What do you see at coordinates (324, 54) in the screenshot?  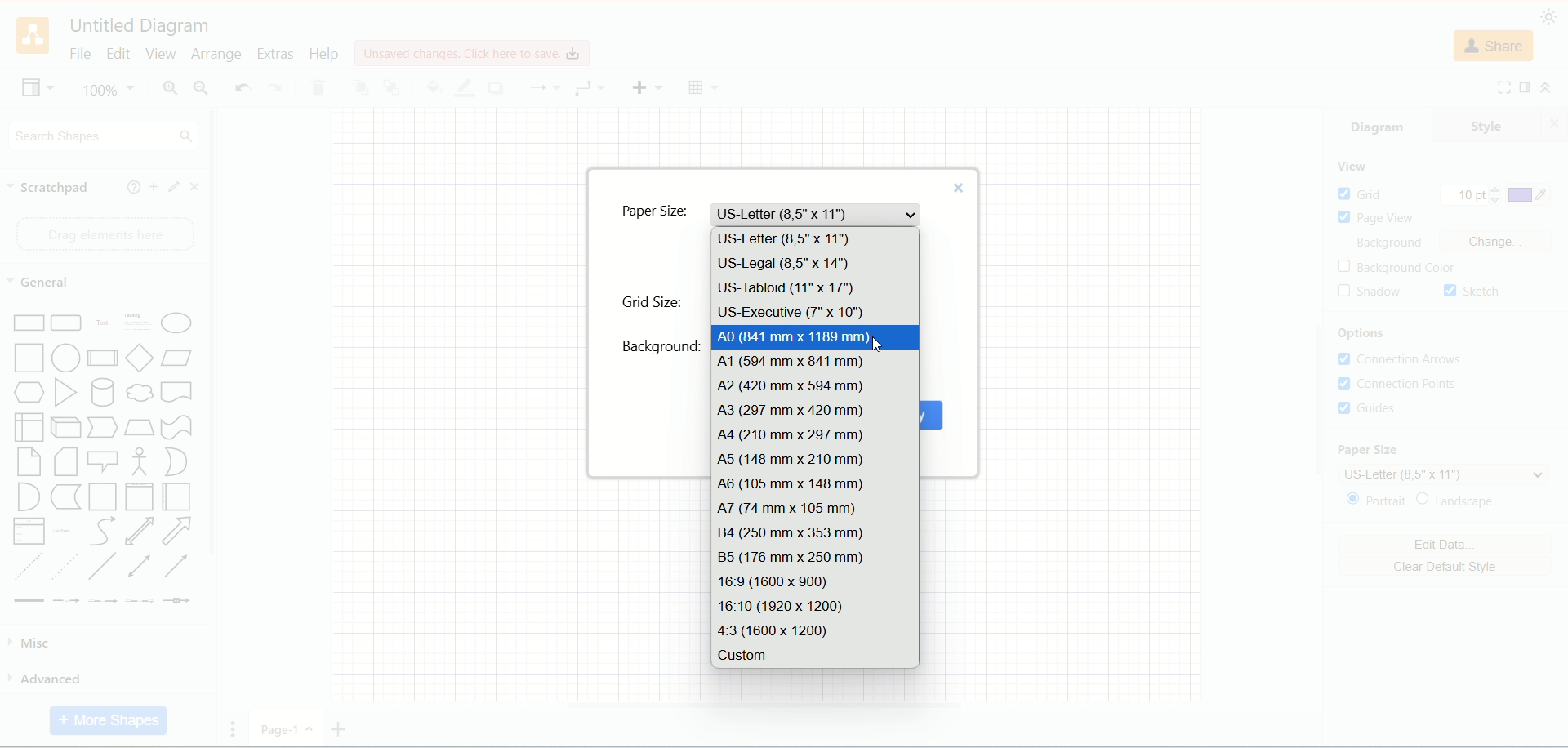 I see `help` at bounding box center [324, 54].